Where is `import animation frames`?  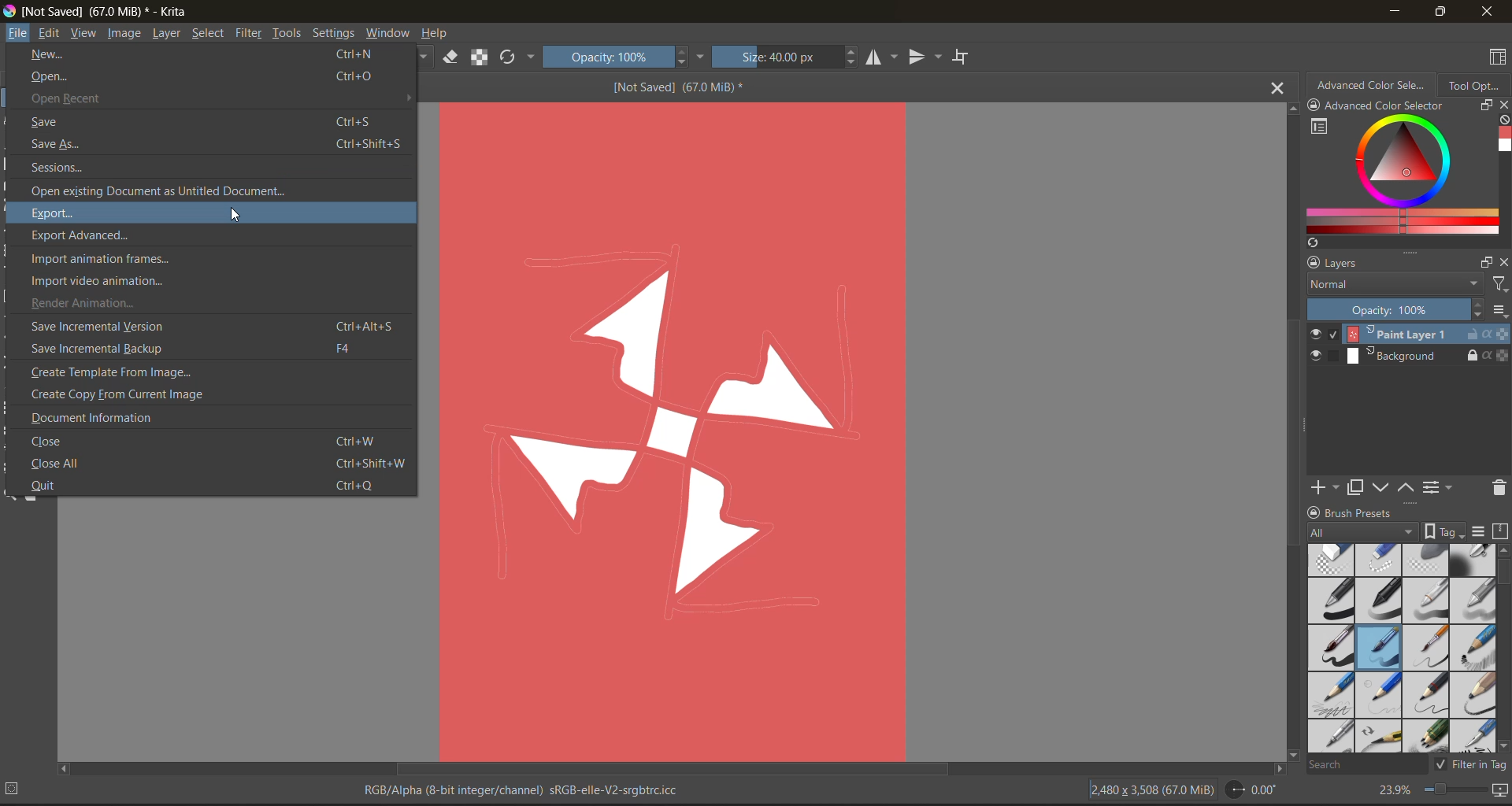 import animation frames is located at coordinates (158, 258).